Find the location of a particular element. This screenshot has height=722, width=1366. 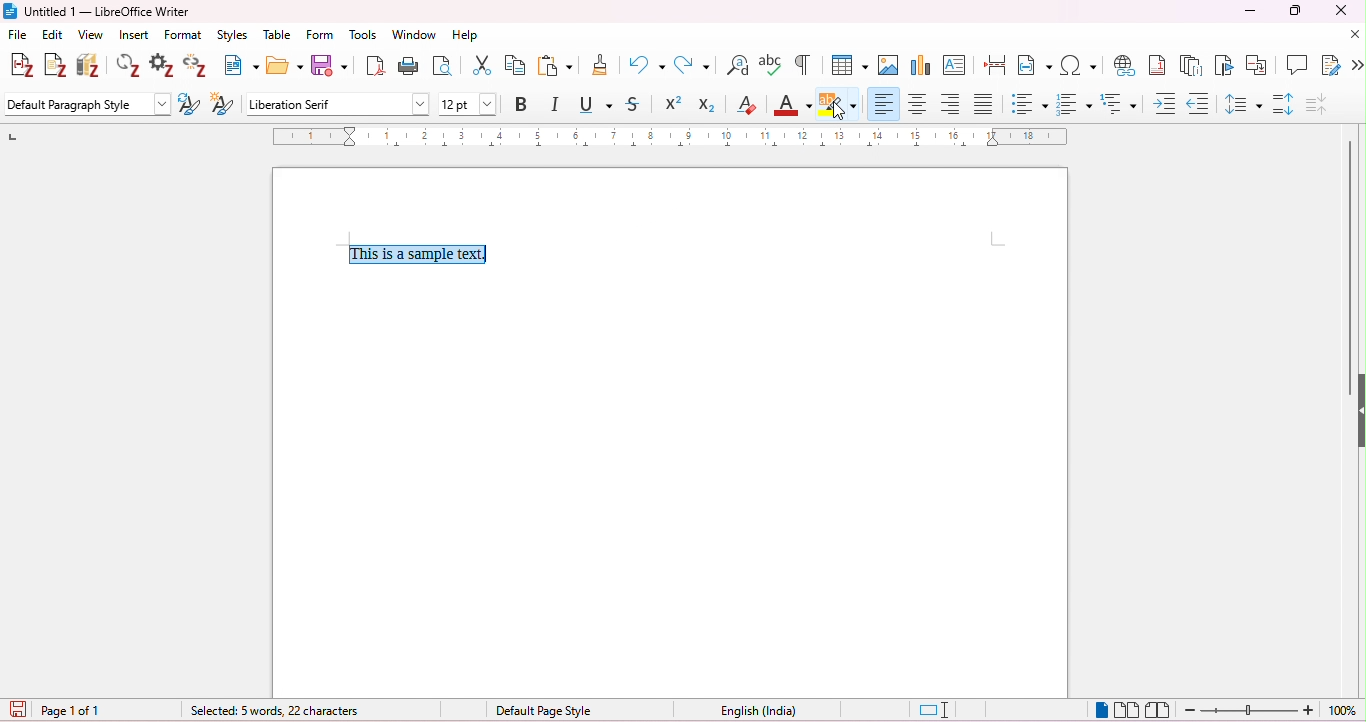

ruler is located at coordinates (675, 137).